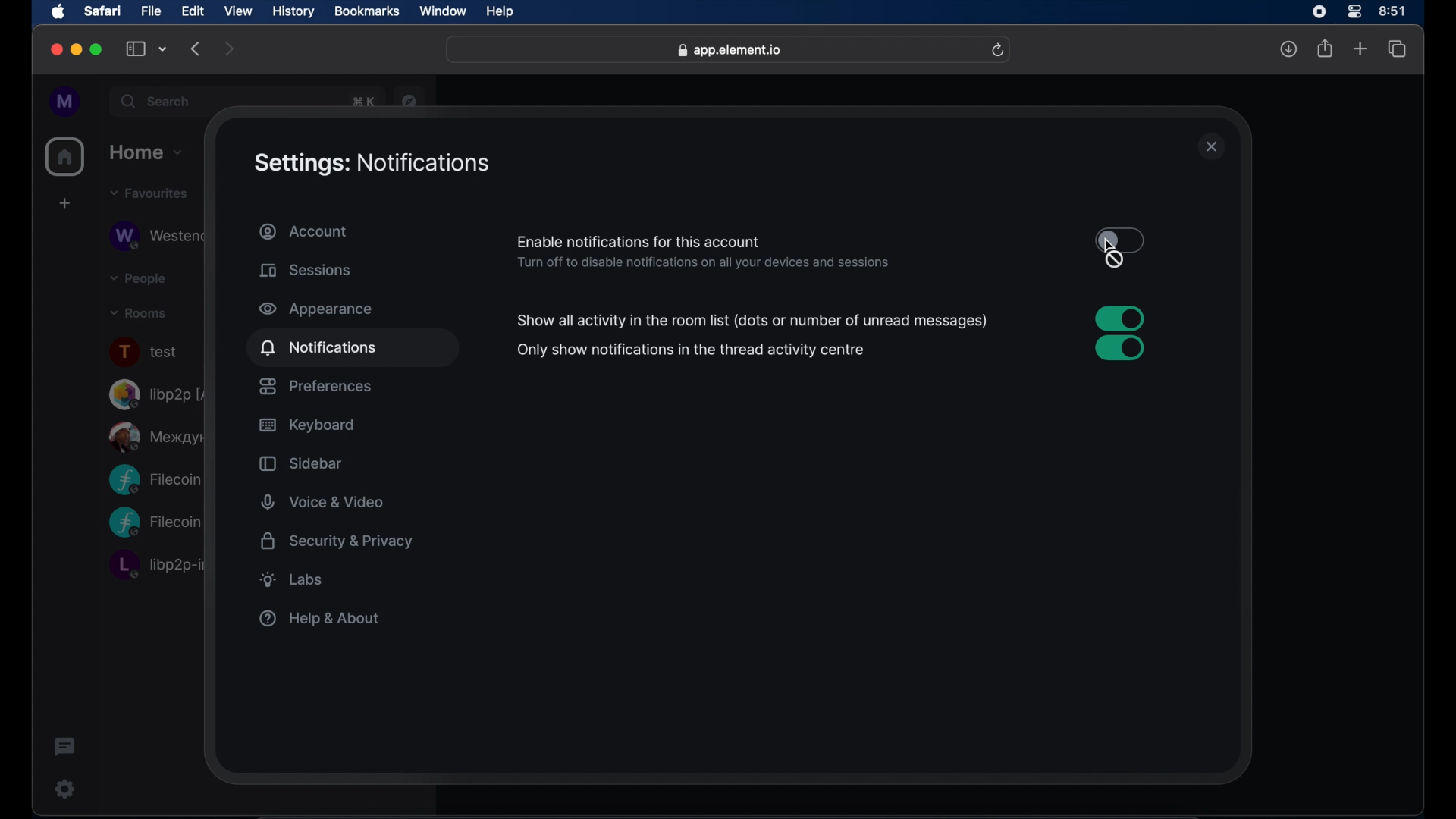  I want to click on sidebar, so click(354, 464).